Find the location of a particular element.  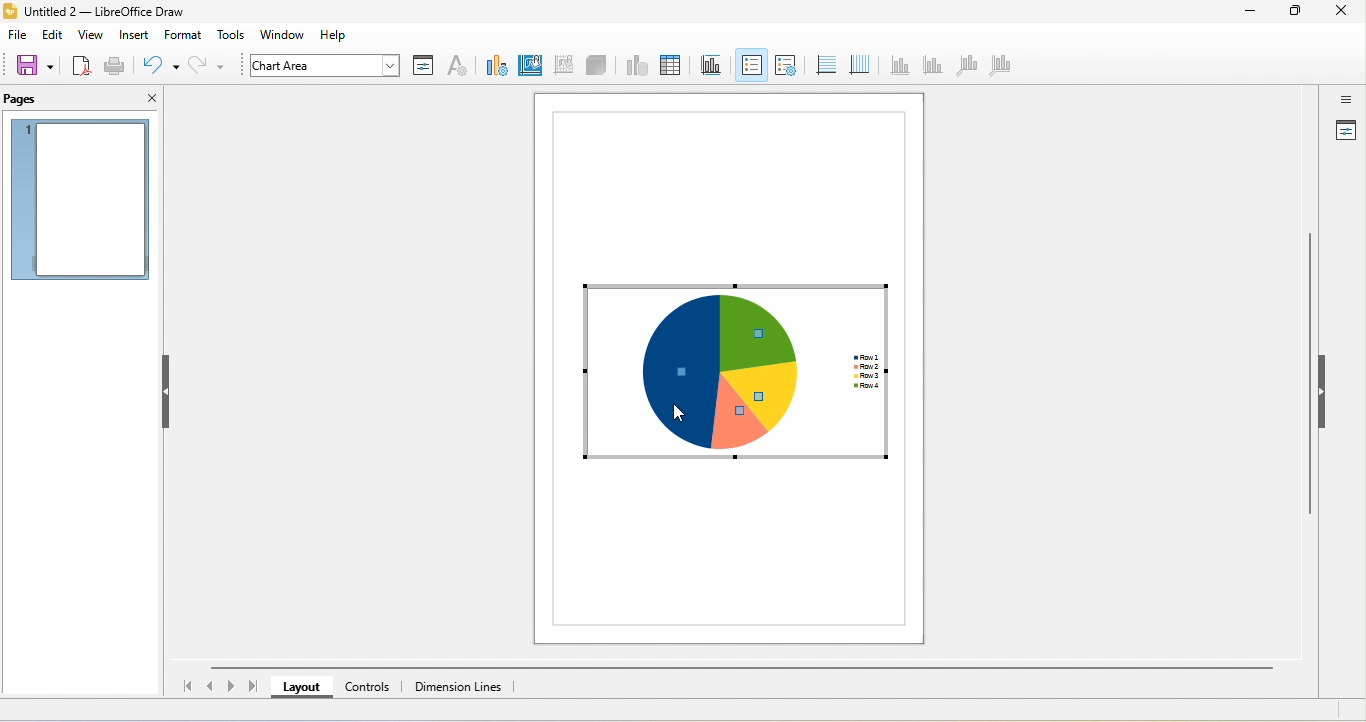

untitled 2- libreoffice draw is located at coordinates (116, 13).